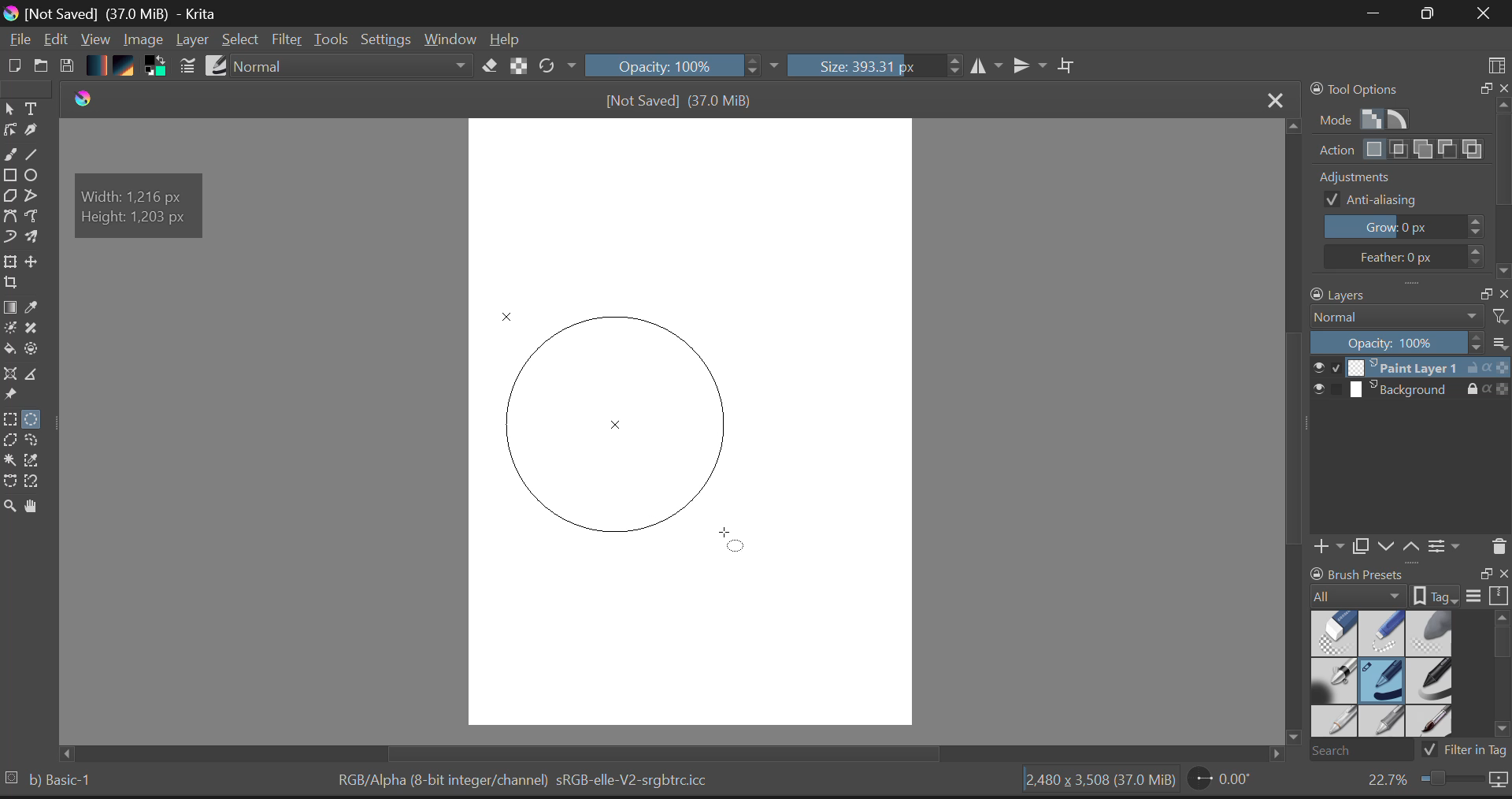 The height and width of the screenshot is (799, 1512). What do you see at coordinates (37, 157) in the screenshot?
I see `Line` at bounding box center [37, 157].